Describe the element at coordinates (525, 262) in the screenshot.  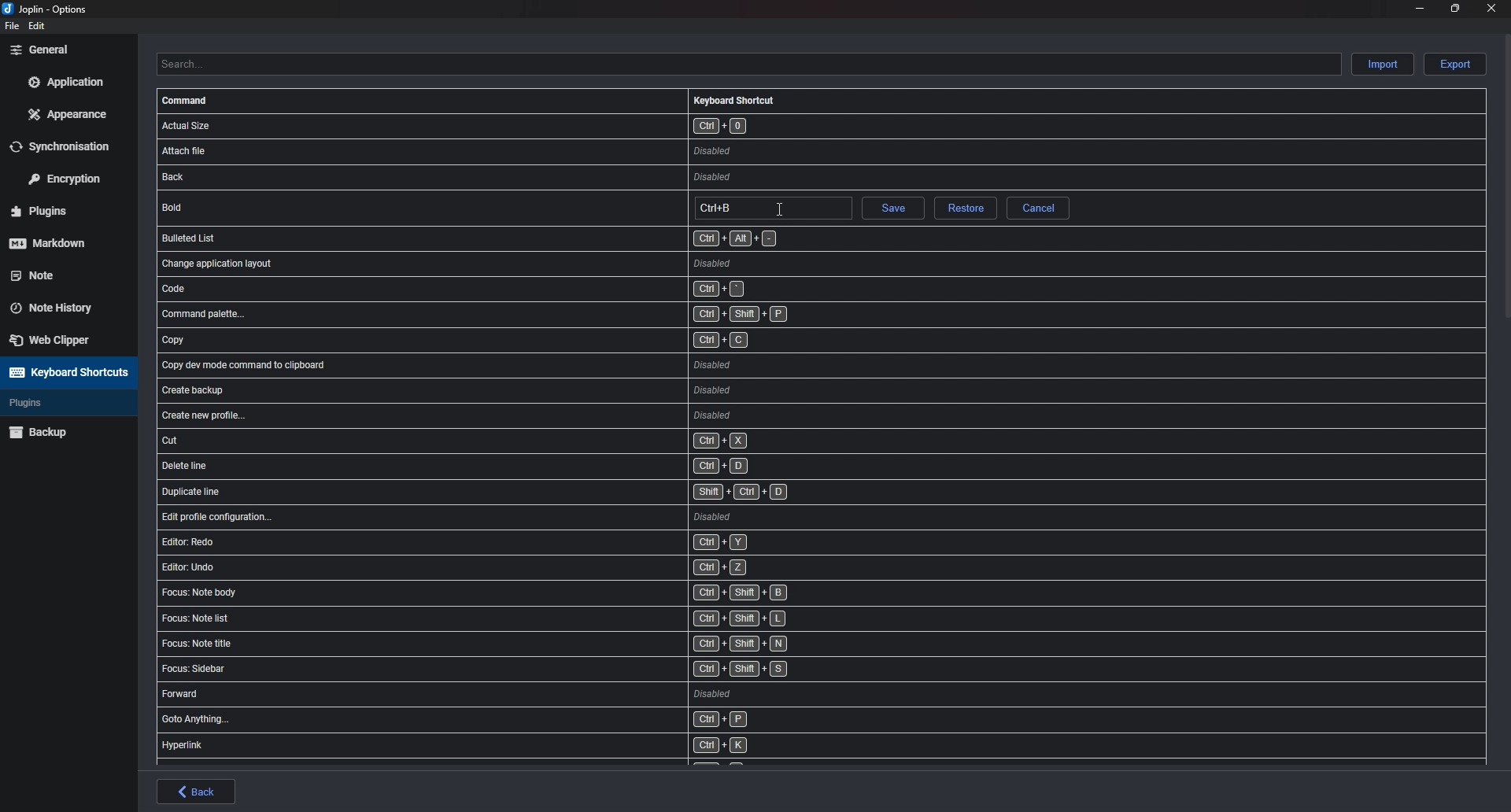
I see `shortcut` at that location.